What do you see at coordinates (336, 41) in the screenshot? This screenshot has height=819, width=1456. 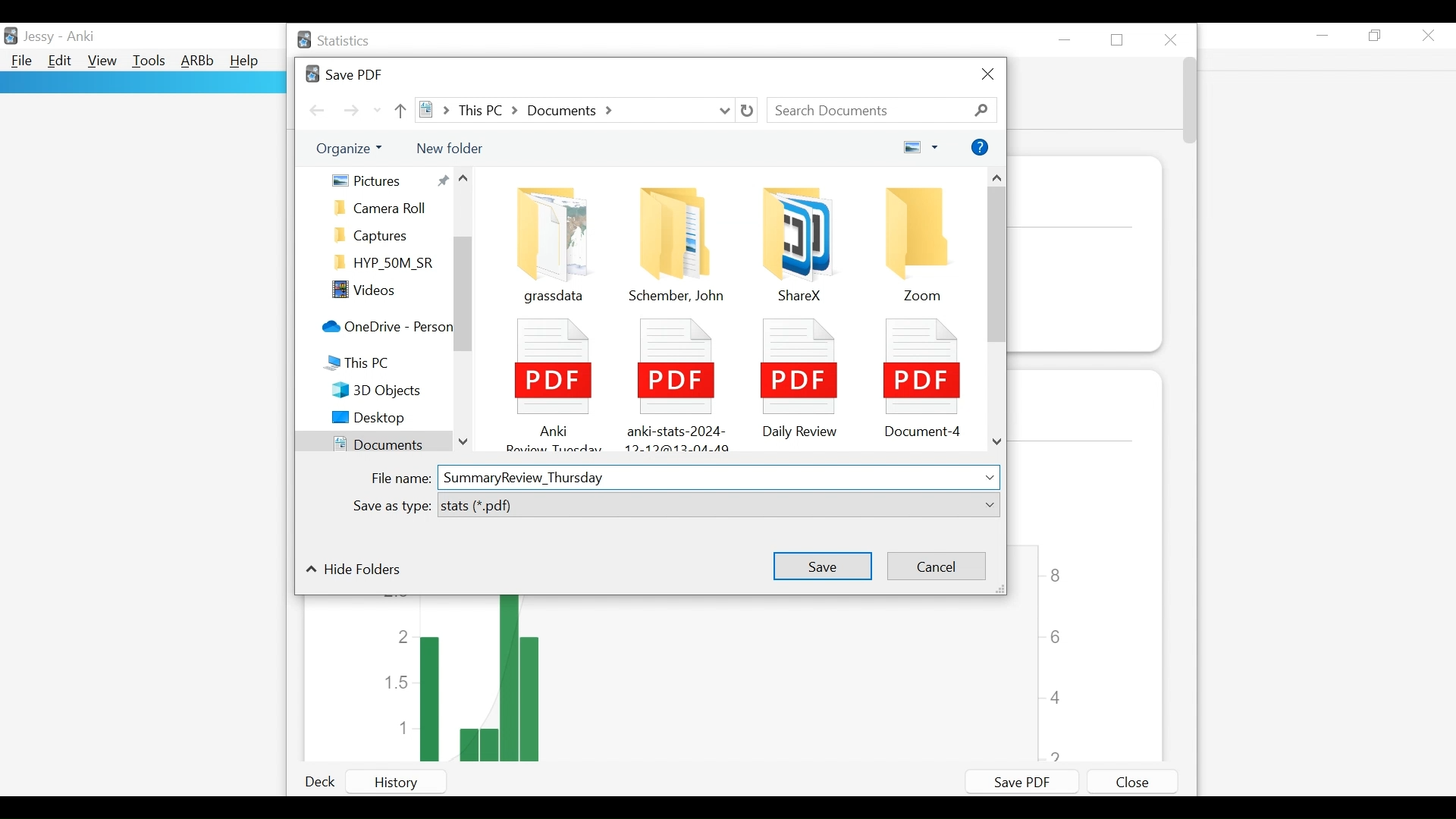 I see `Statistics` at bounding box center [336, 41].